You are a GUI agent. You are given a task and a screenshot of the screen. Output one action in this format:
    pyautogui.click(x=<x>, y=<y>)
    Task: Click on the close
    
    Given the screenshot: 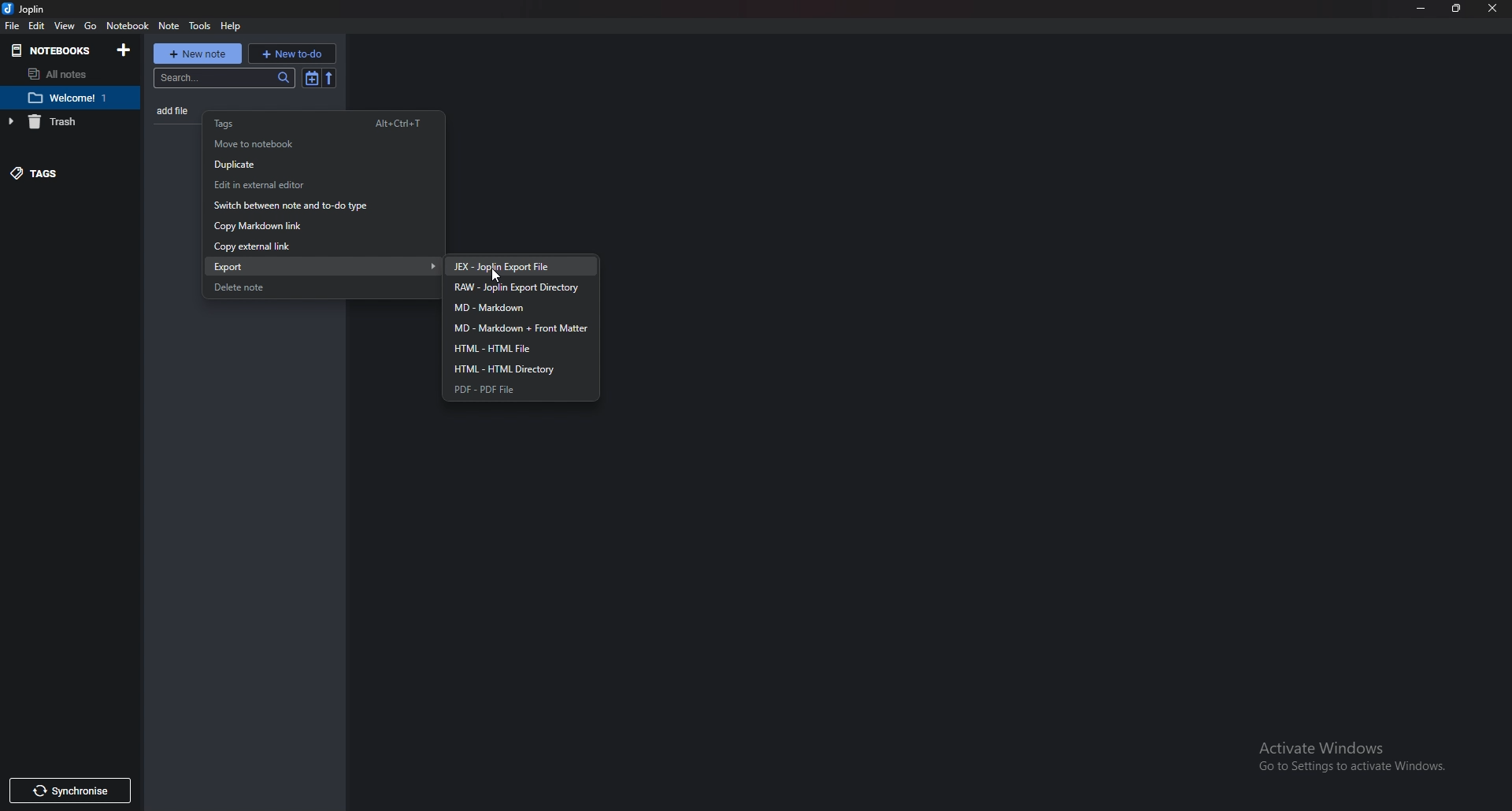 What is the action you would take?
    pyautogui.click(x=1493, y=10)
    